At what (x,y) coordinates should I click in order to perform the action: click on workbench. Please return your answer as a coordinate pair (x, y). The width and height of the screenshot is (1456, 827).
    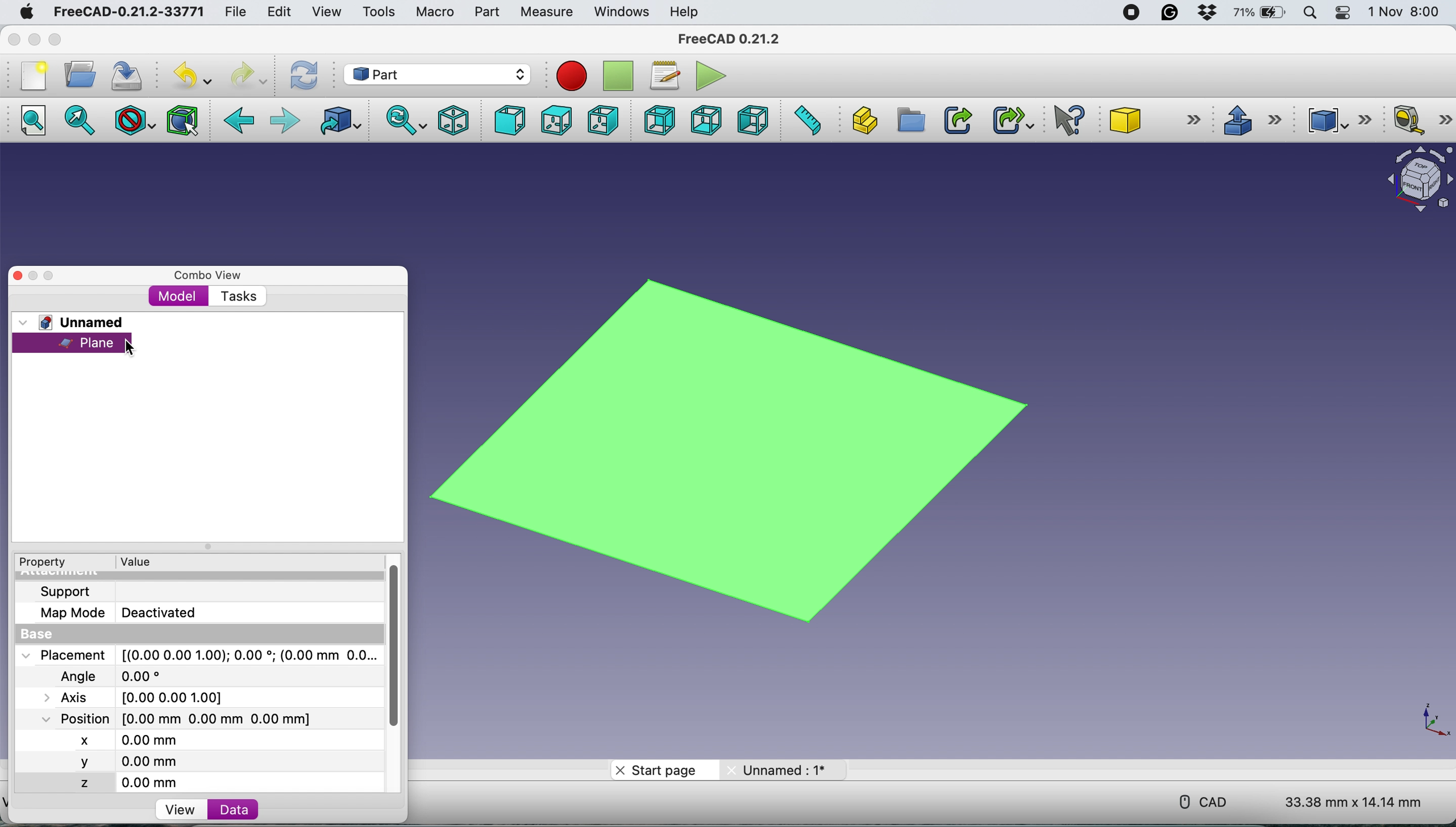
    Looking at the image, I should click on (438, 73).